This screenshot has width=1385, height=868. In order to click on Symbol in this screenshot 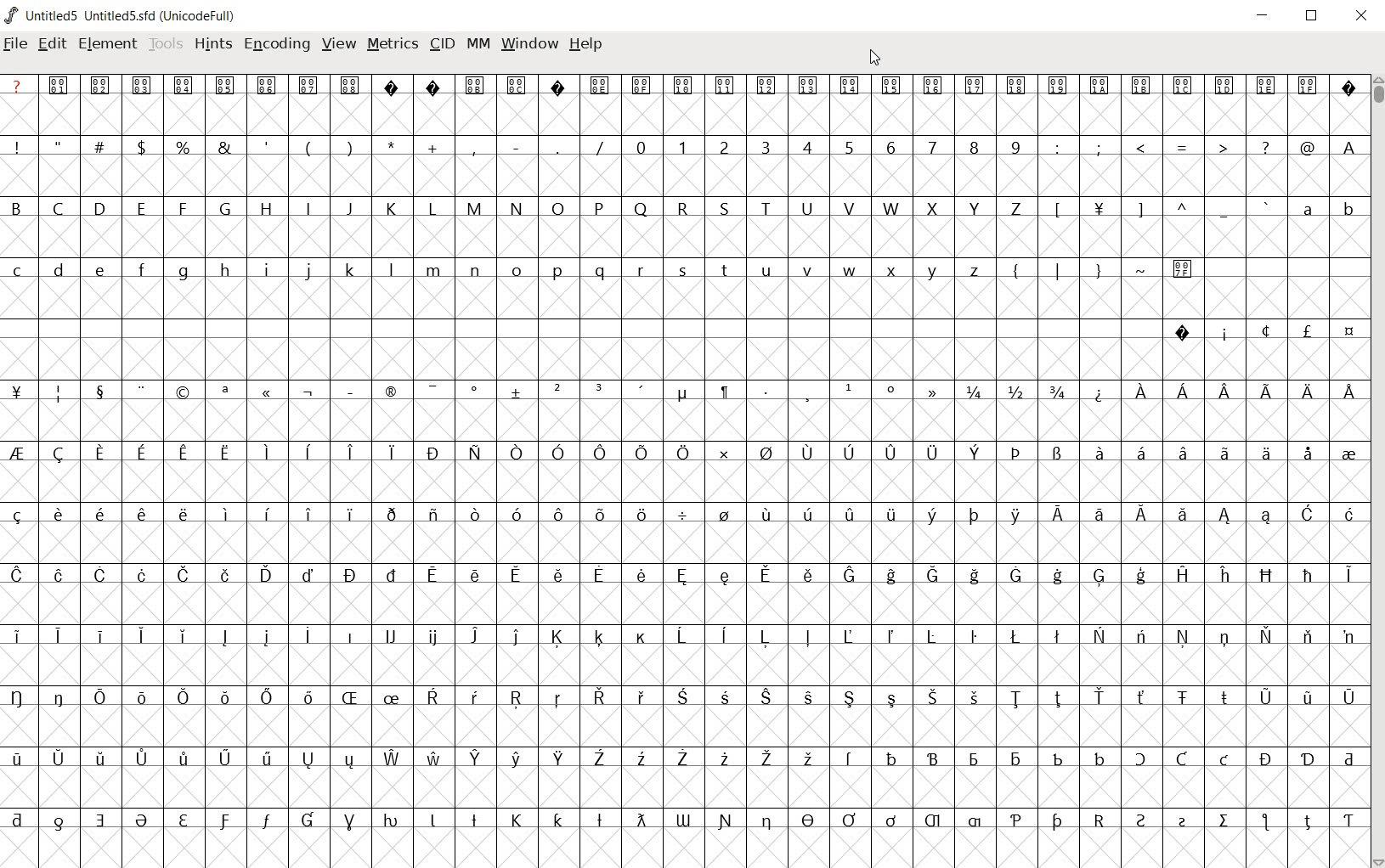, I will do `click(1182, 573)`.